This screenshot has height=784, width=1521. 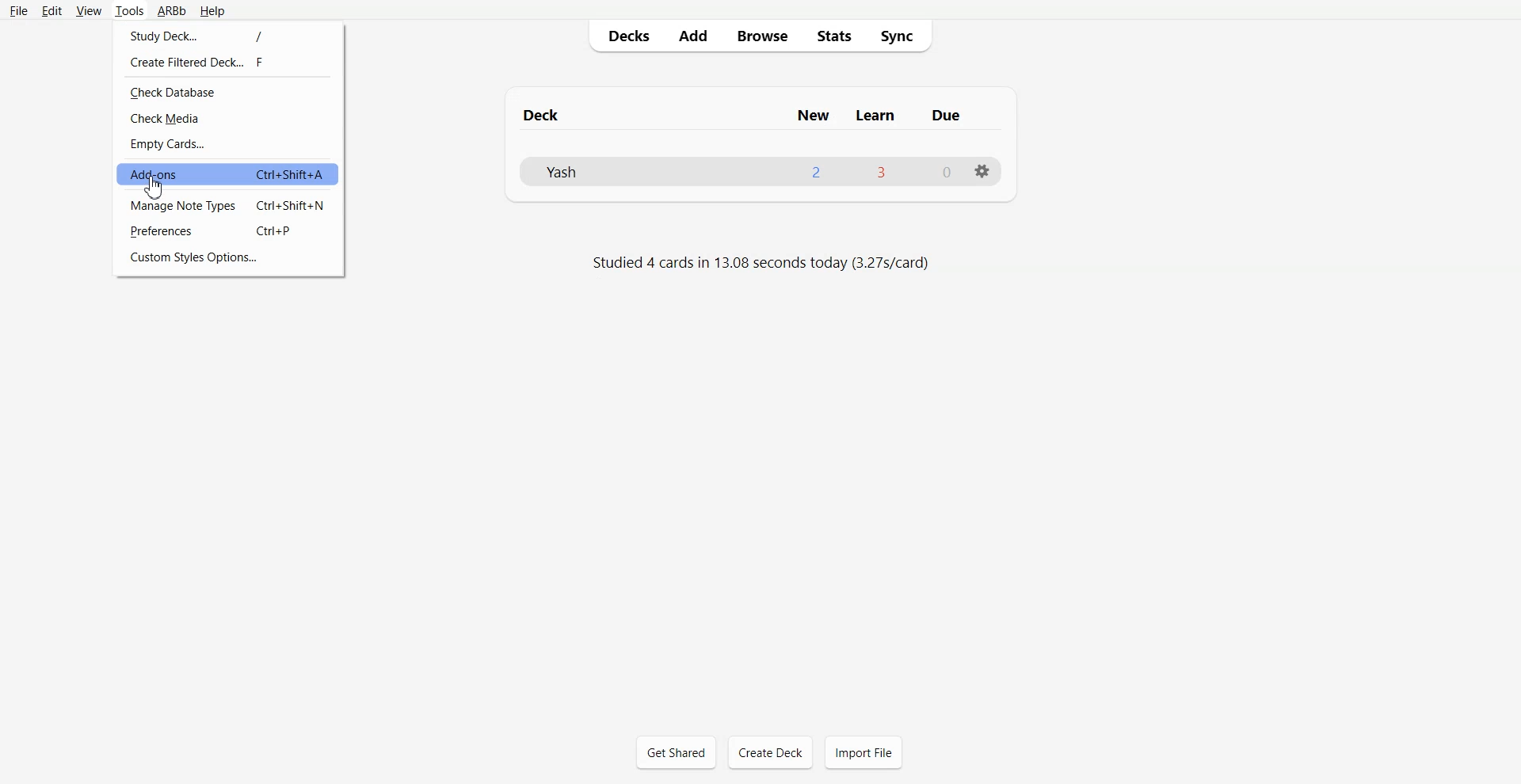 What do you see at coordinates (692, 36) in the screenshot?
I see `Add` at bounding box center [692, 36].